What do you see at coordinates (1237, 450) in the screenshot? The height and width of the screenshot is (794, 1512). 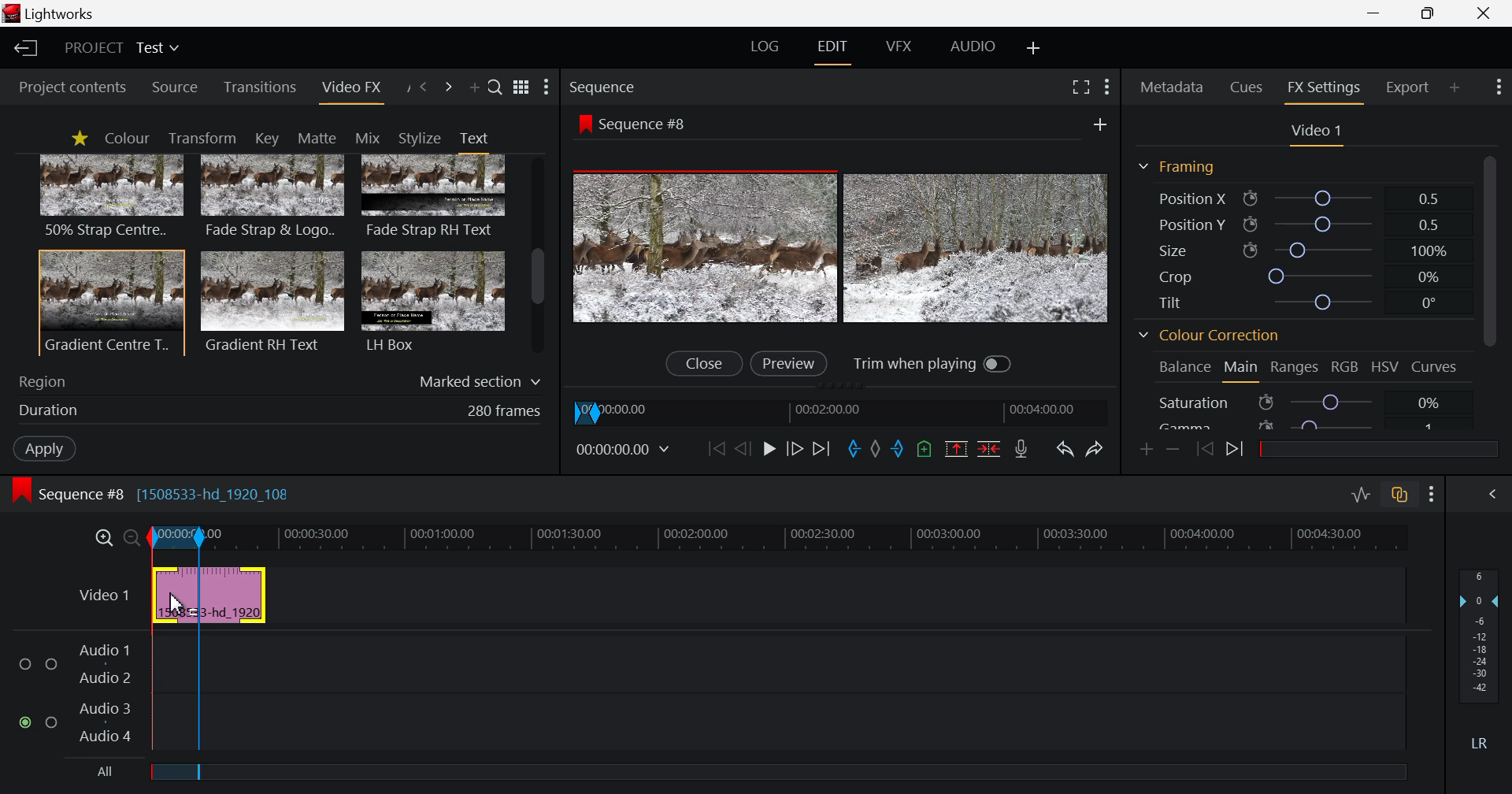 I see `Next keyframe` at bounding box center [1237, 450].